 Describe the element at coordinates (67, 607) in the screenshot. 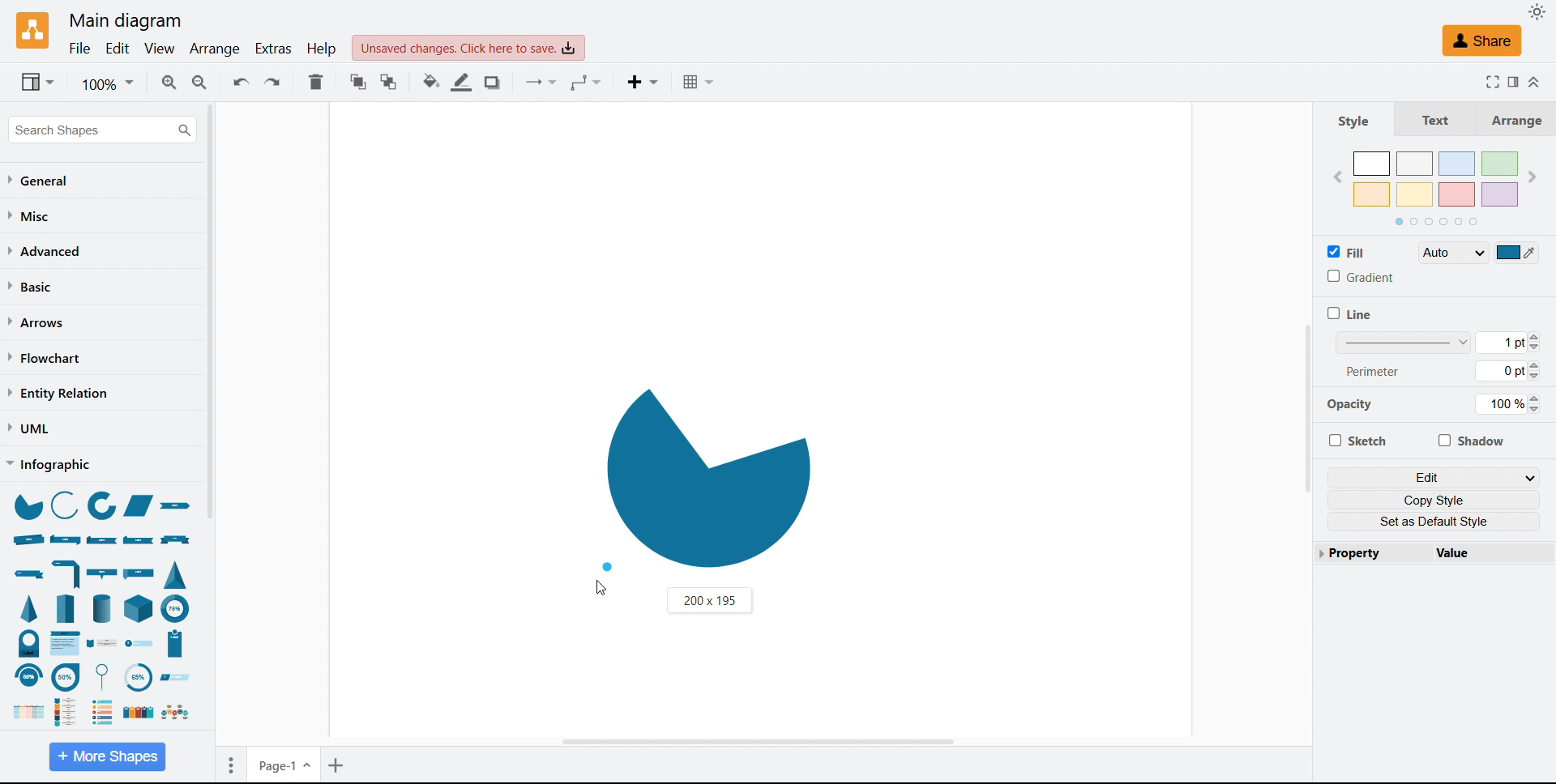

I see `pyramid step` at that location.